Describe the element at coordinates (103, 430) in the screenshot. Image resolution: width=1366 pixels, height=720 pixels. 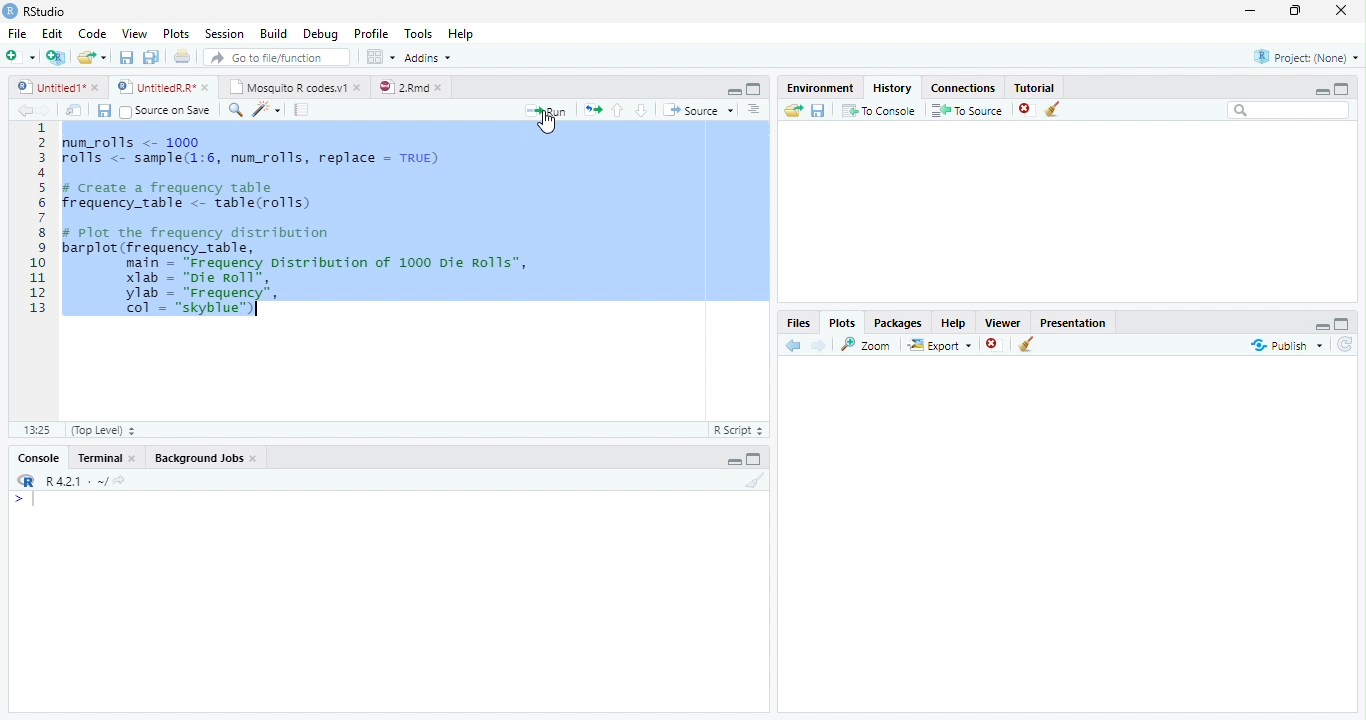
I see `(Top Level)` at that location.